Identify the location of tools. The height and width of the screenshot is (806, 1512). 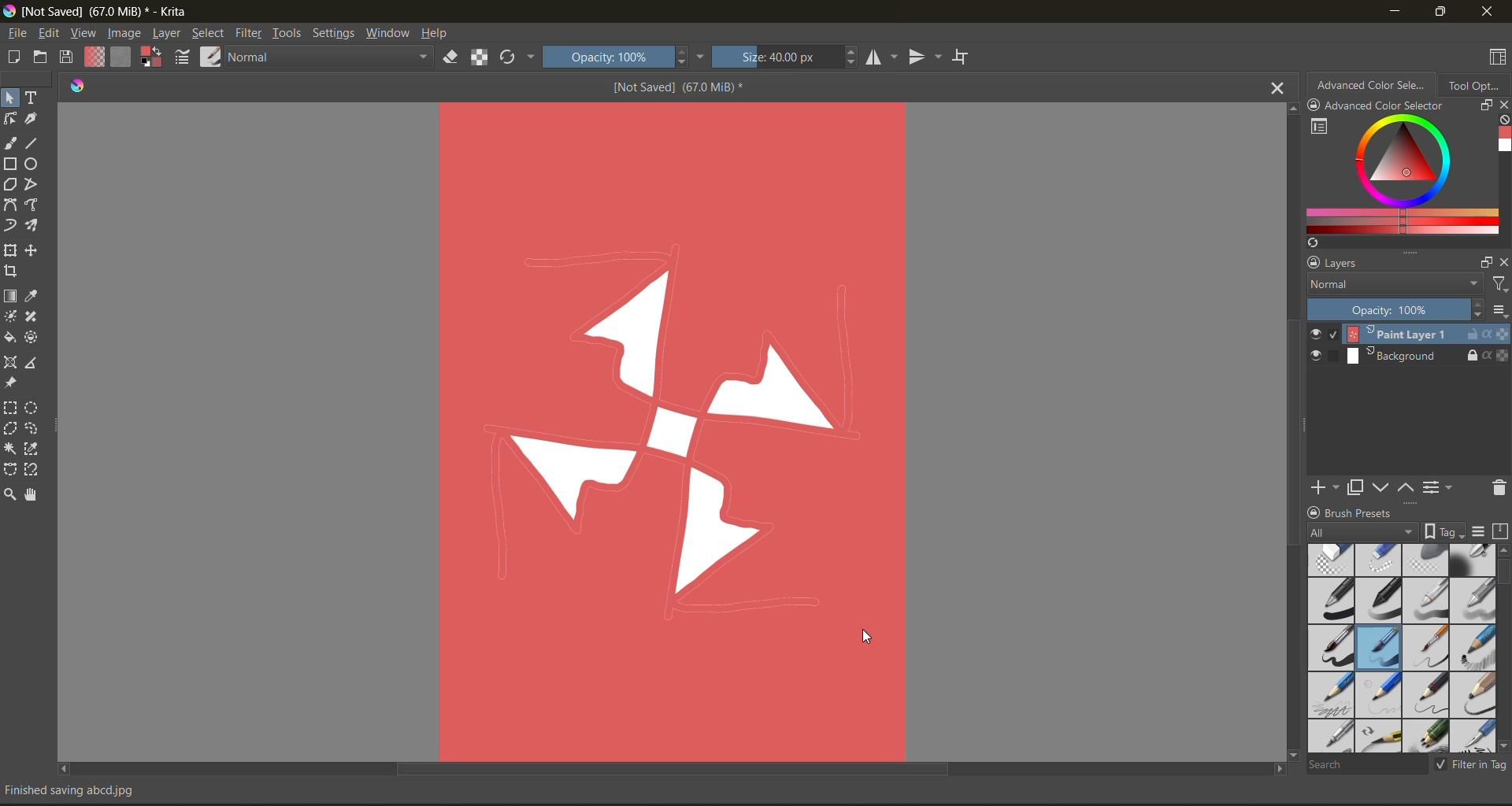
(33, 298).